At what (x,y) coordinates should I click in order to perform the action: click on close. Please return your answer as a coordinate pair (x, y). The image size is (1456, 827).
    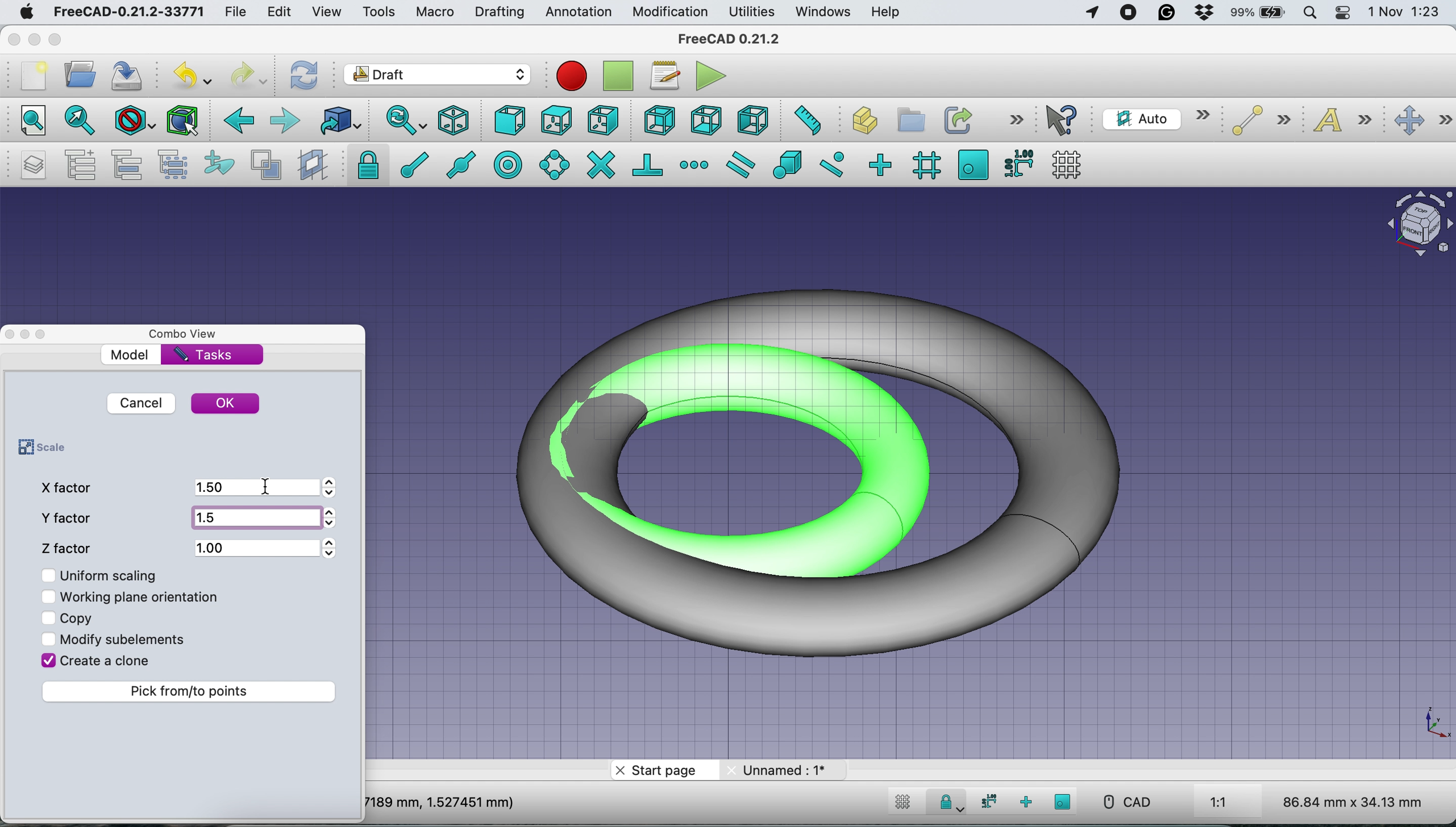
    Looking at the image, I should click on (12, 39).